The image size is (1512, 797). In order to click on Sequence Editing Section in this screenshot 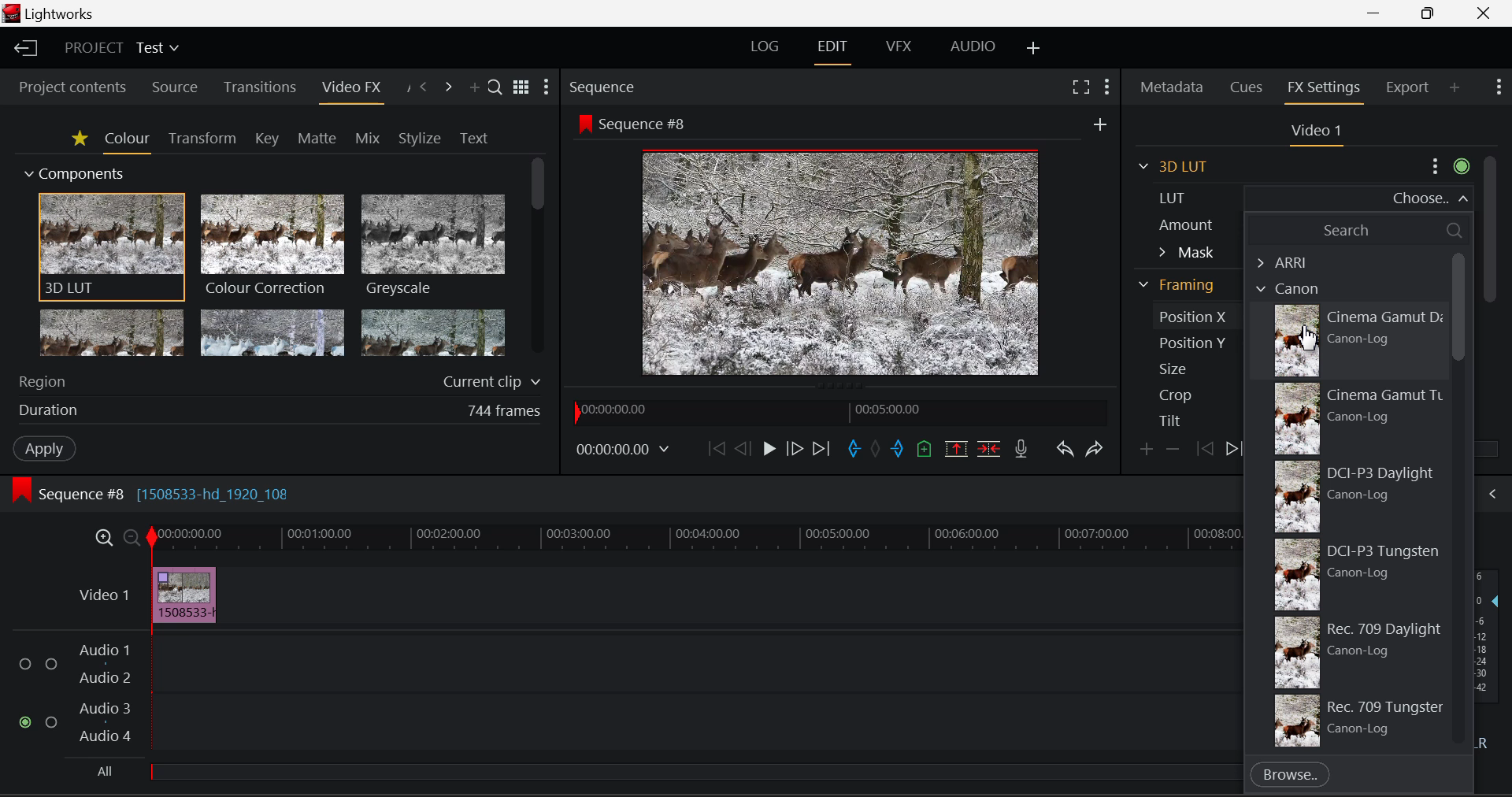, I will do `click(157, 495)`.